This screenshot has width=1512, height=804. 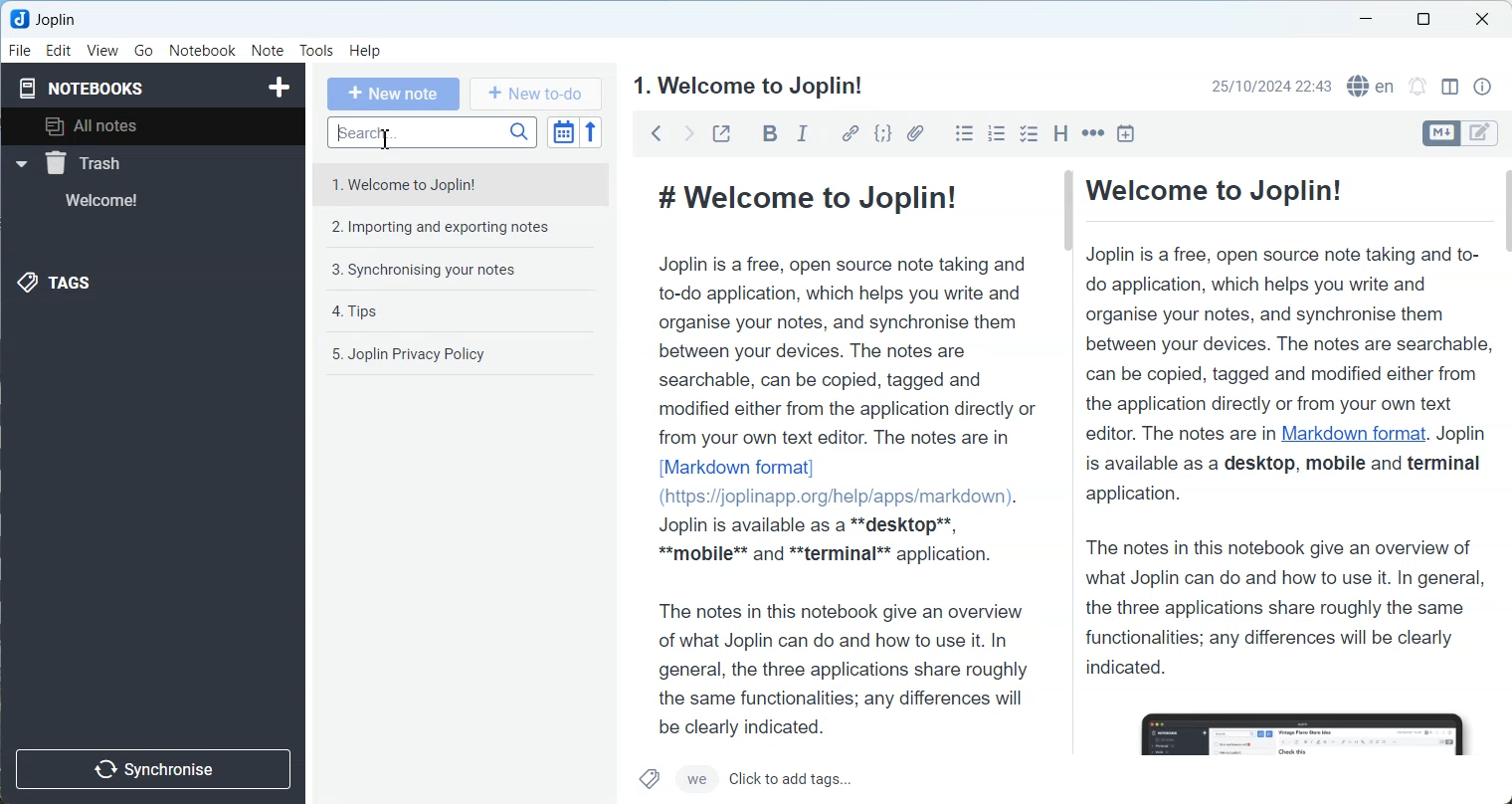 What do you see at coordinates (466, 271) in the screenshot?
I see `synchronising your Notes` at bounding box center [466, 271].